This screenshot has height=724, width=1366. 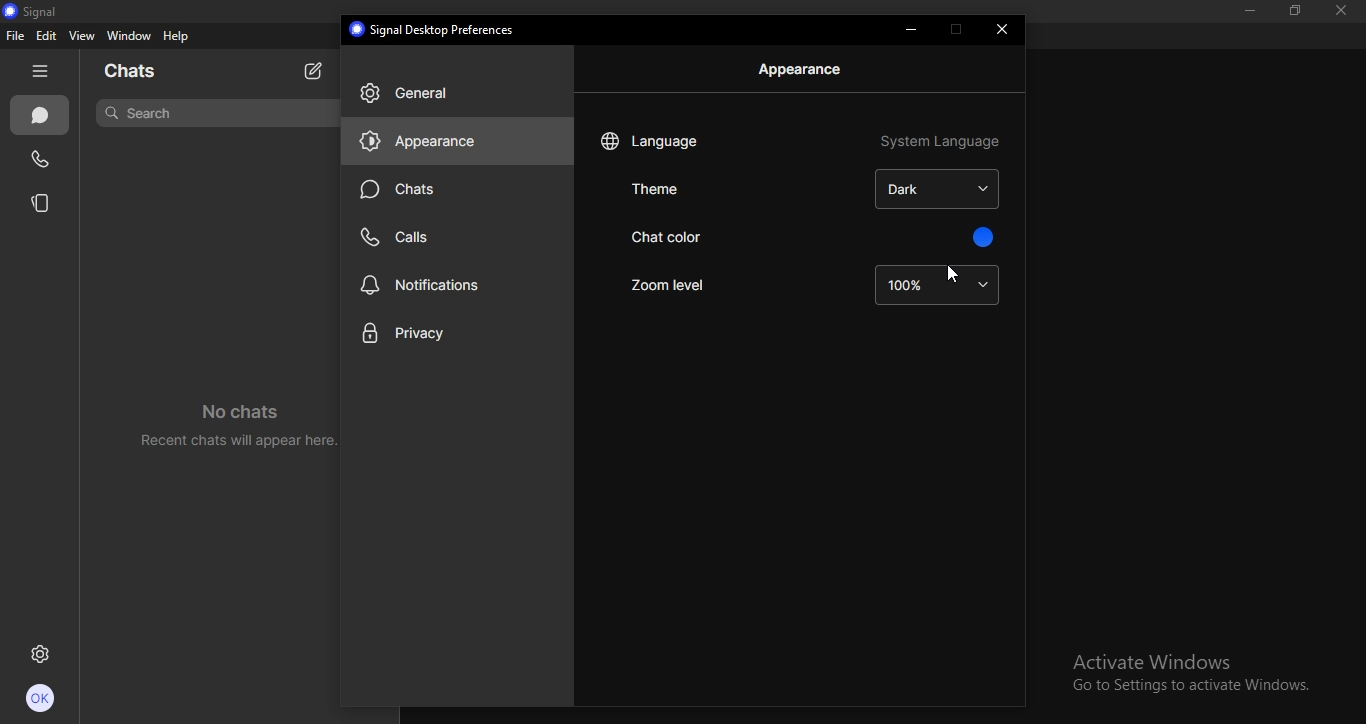 I want to click on zoom level, so click(x=680, y=282).